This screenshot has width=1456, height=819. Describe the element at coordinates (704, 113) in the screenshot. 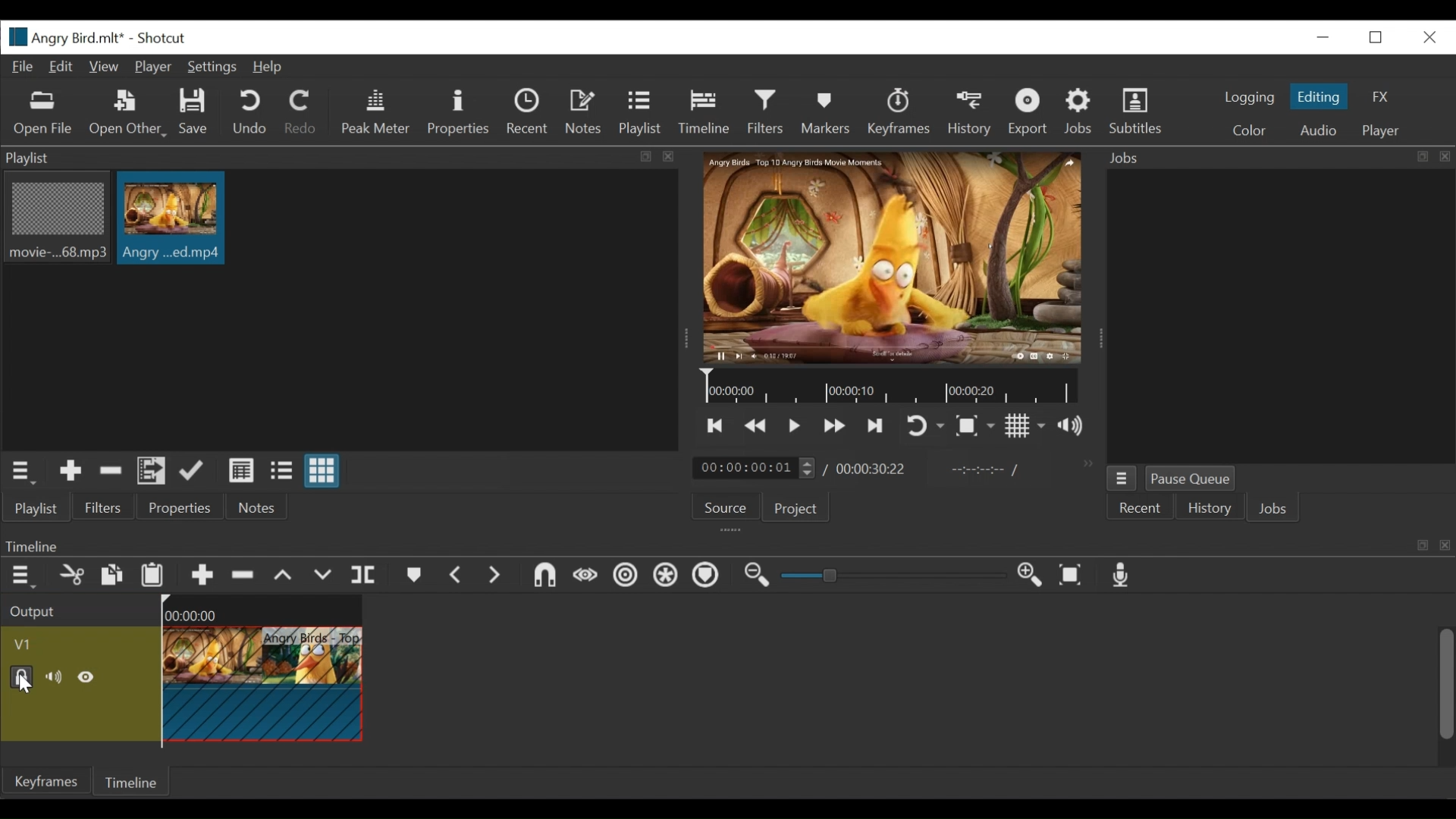

I see `Timeline` at that location.